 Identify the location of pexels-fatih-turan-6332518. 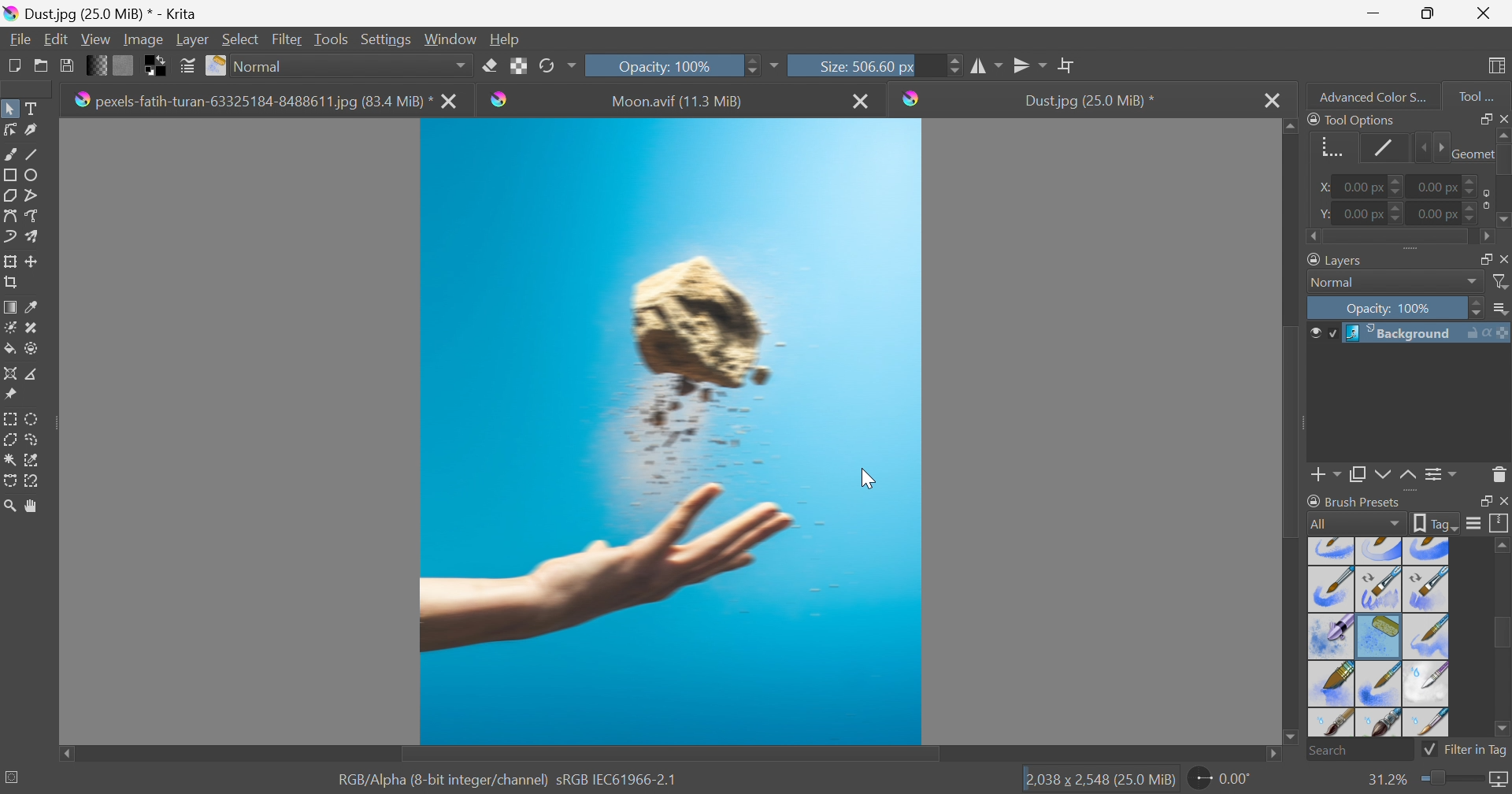
(252, 102).